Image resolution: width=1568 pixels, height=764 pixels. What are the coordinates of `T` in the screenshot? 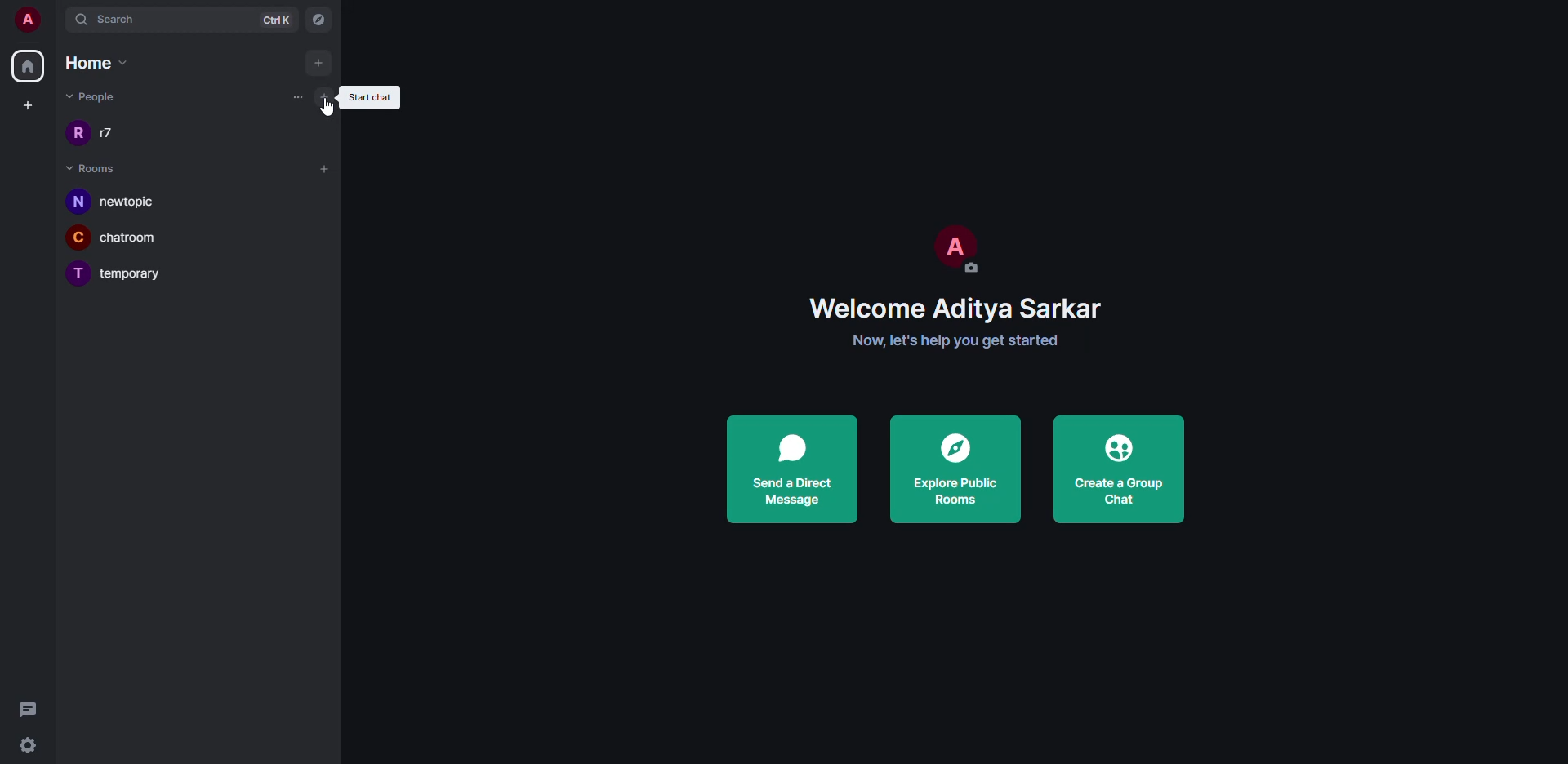 It's located at (77, 275).